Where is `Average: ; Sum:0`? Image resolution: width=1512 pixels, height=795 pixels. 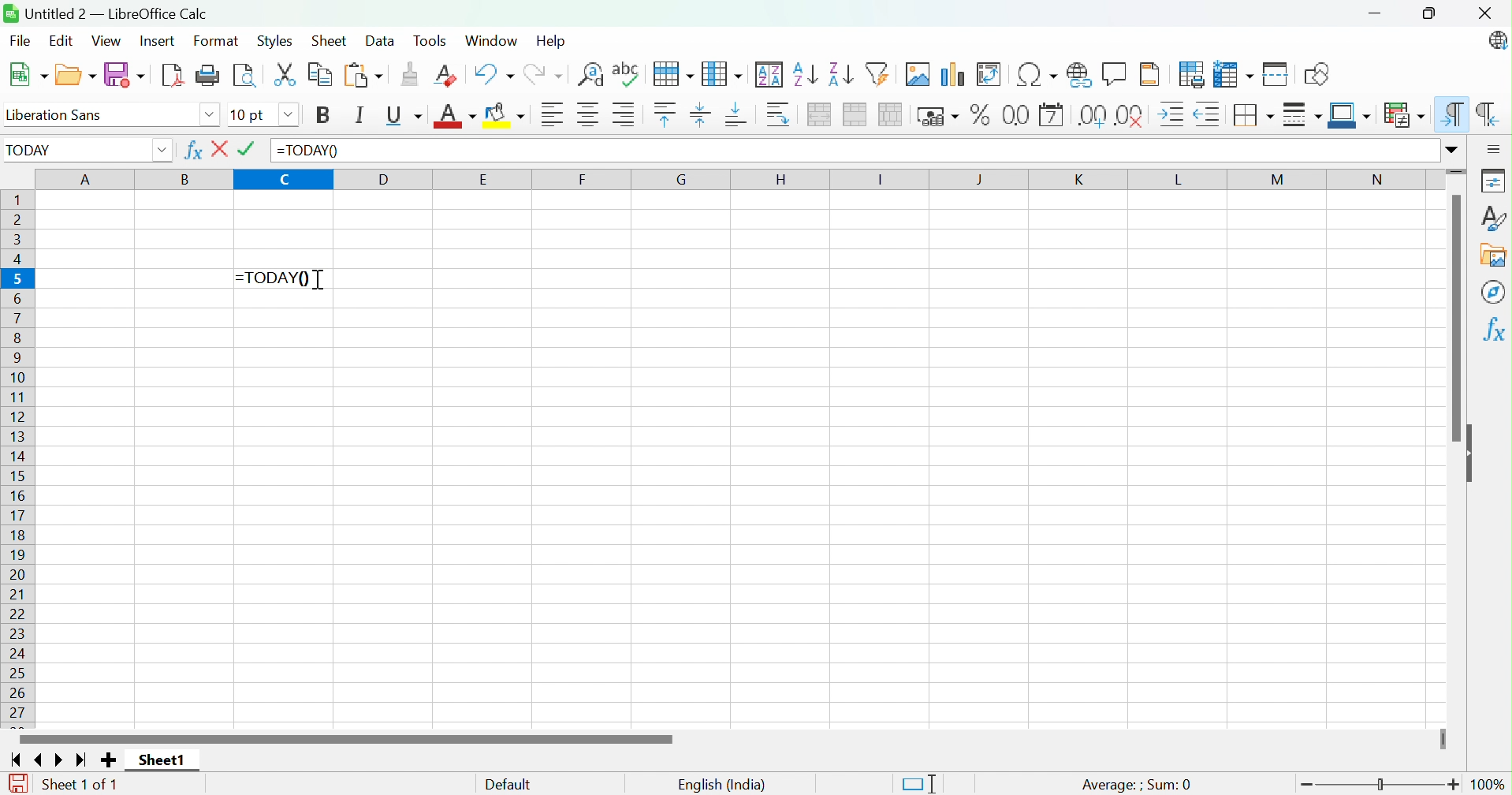
Average: ; Sum:0 is located at coordinates (1136, 784).